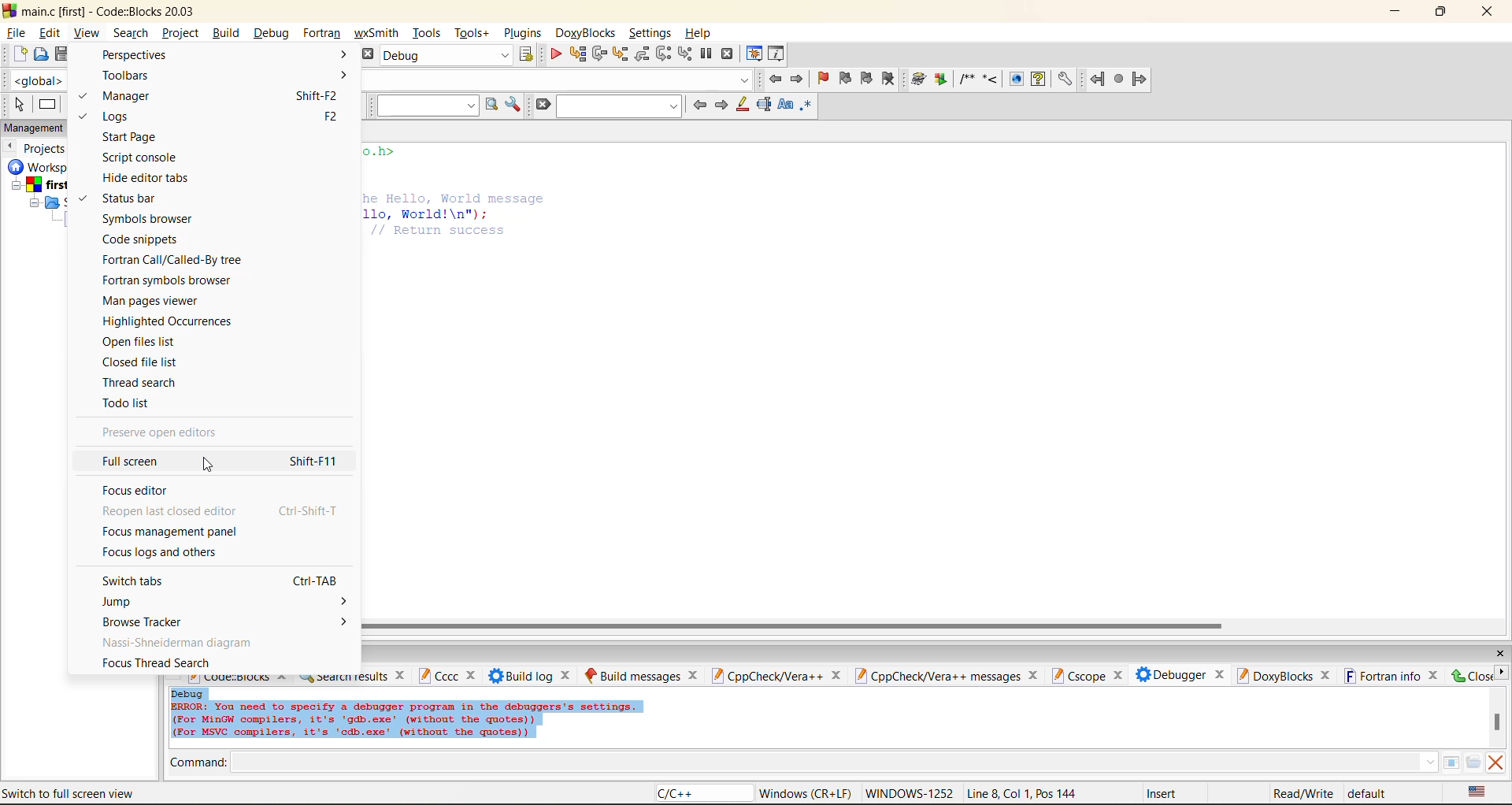 This screenshot has height=805, width=1512. I want to click on Preferences, so click(1065, 80).